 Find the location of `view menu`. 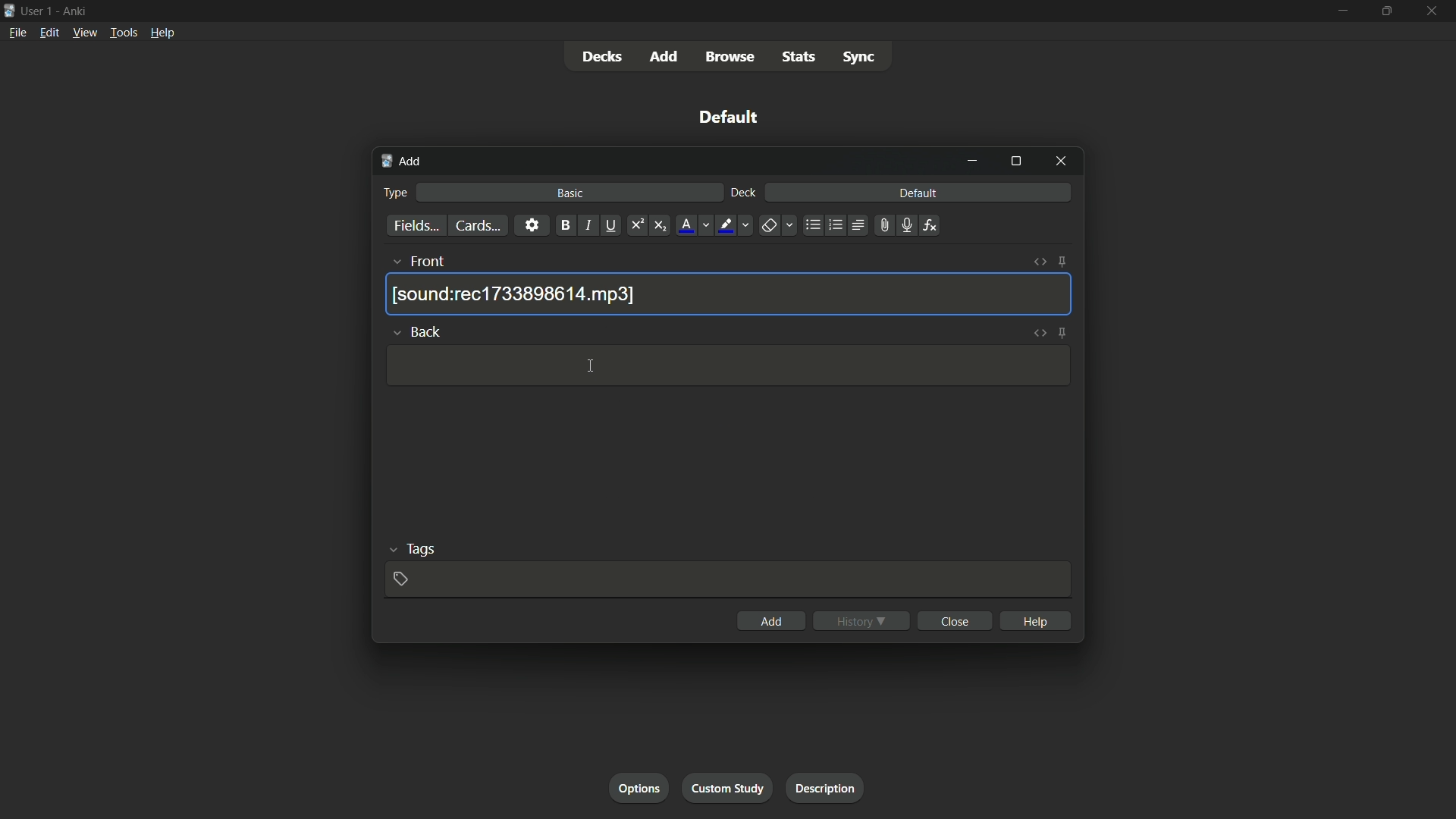

view menu is located at coordinates (85, 33).